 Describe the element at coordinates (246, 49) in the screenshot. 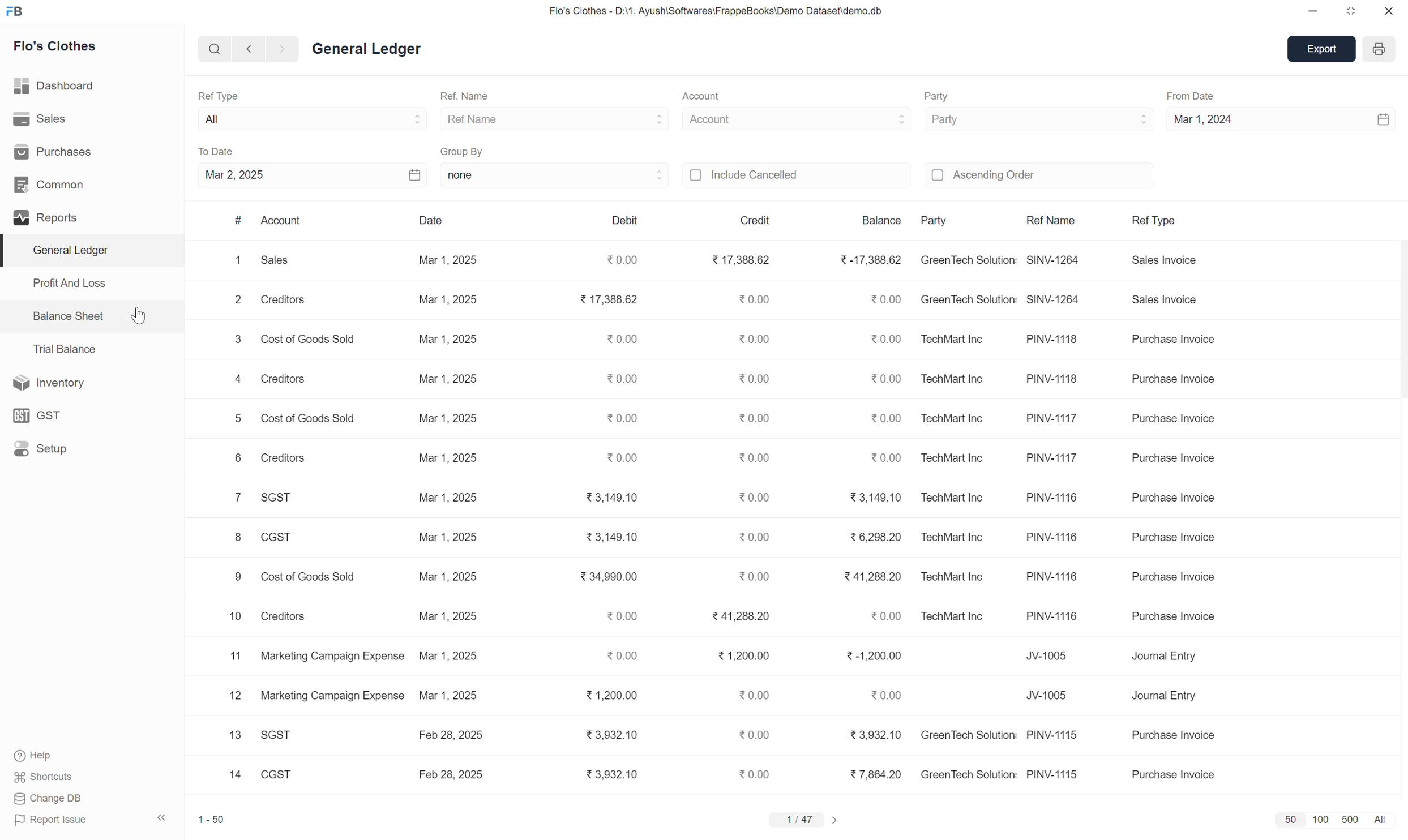

I see `backward` at that location.